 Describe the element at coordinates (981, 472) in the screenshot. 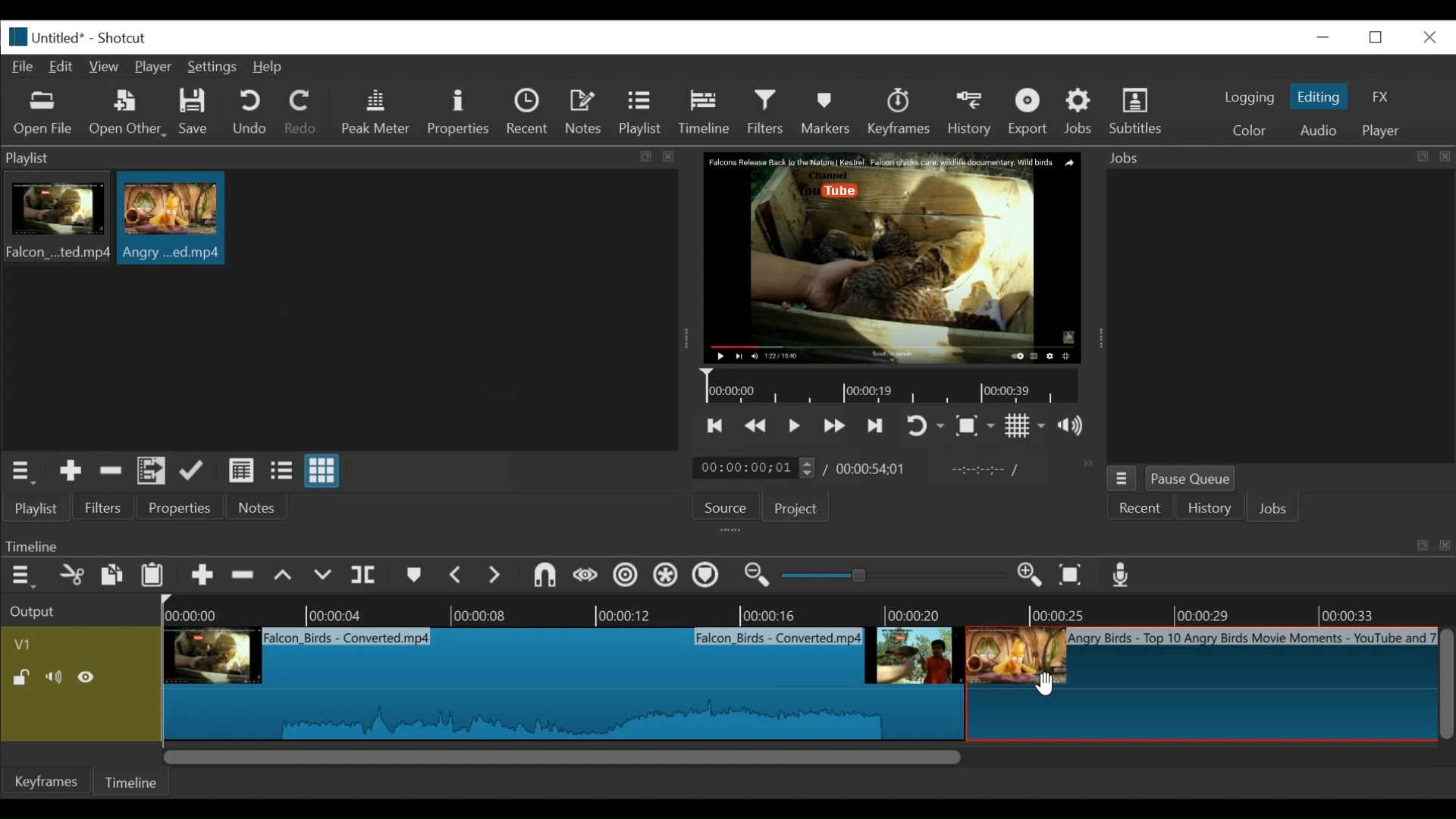

I see `in point` at that location.